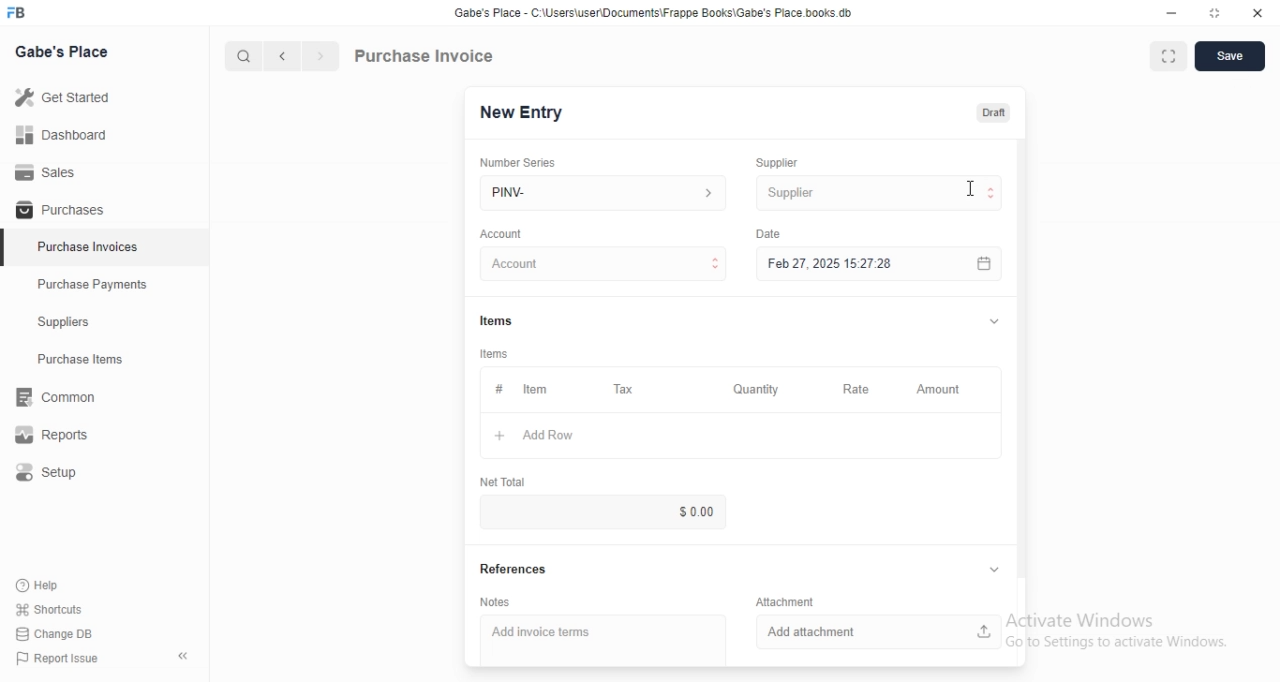  What do you see at coordinates (243, 56) in the screenshot?
I see `Search` at bounding box center [243, 56].